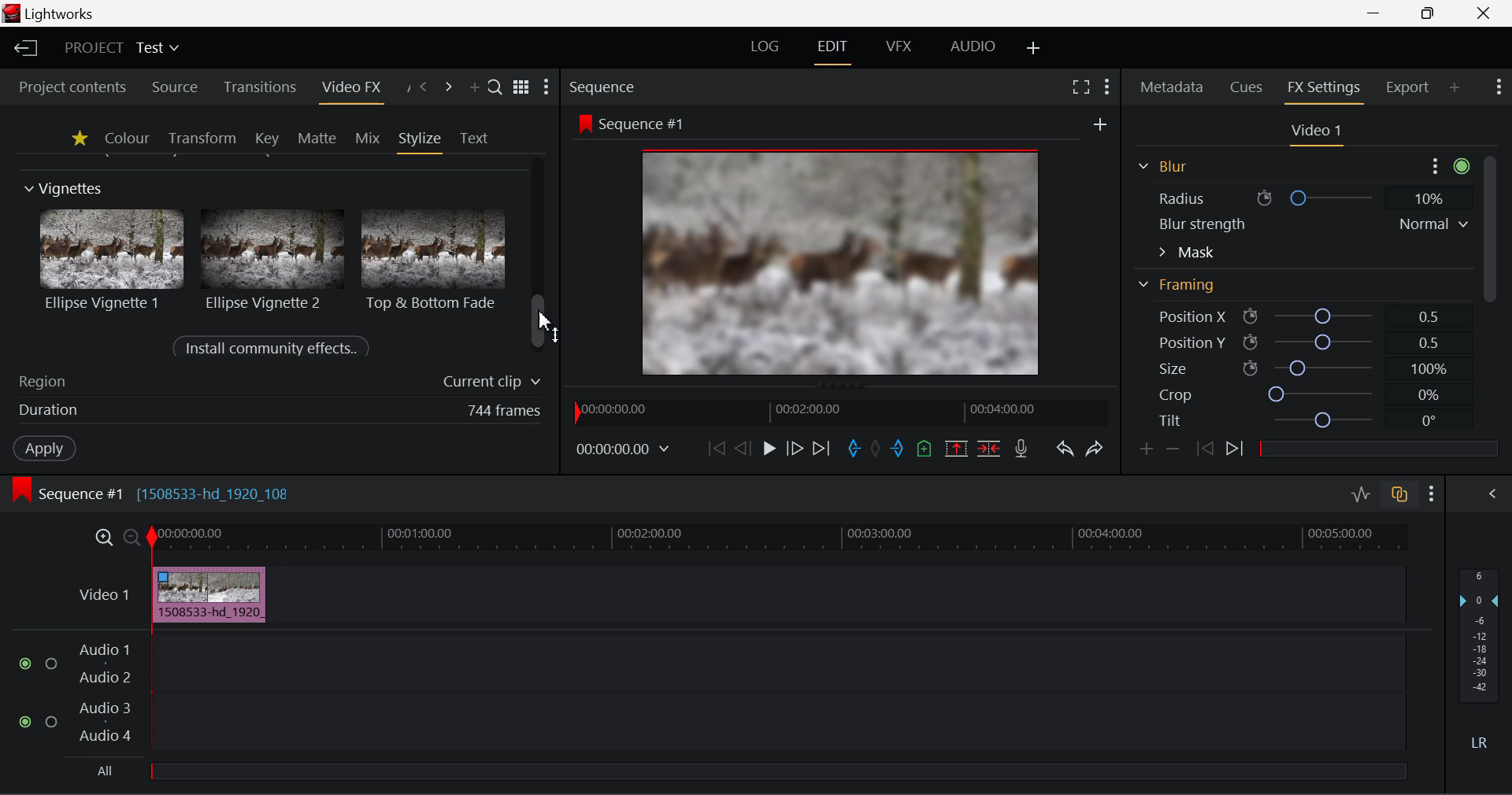 The width and height of the screenshot is (1512, 795). Describe the element at coordinates (818, 246) in the screenshot. I see `Effect Visible in Preview` at that location.